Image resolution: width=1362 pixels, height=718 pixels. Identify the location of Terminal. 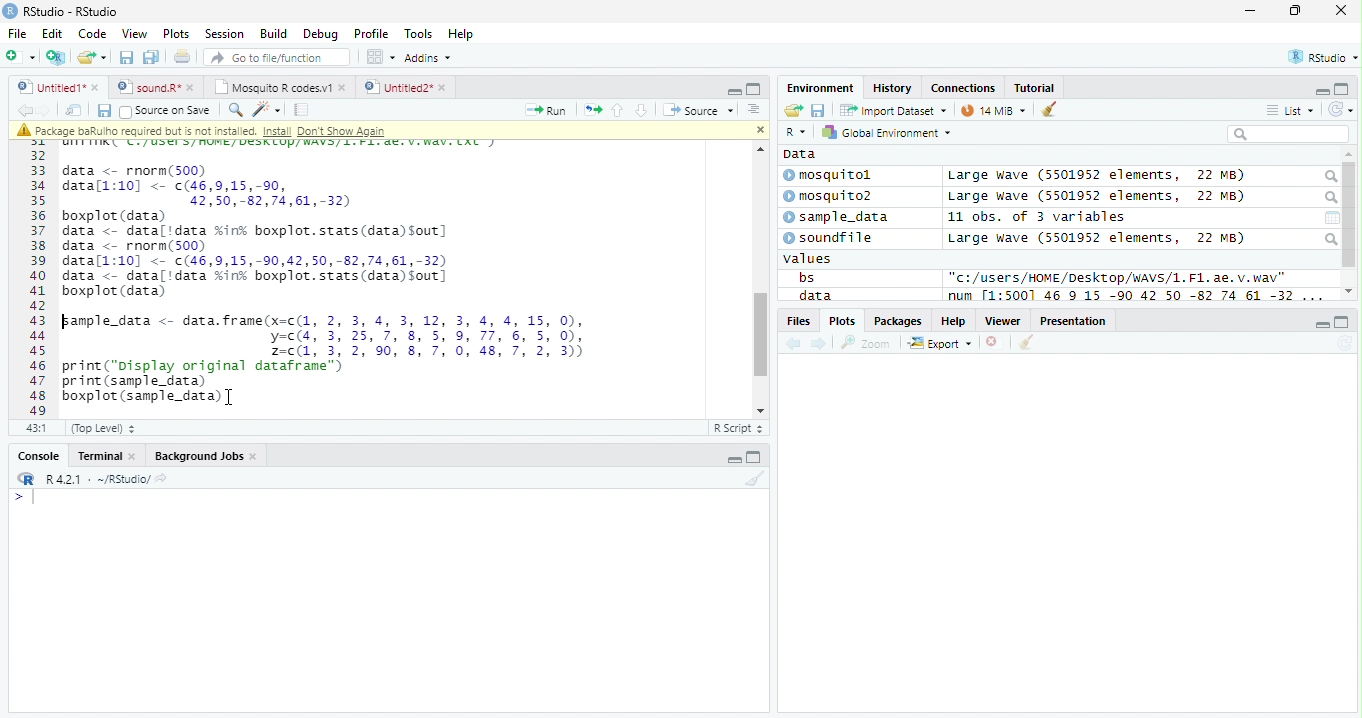
(104, 456).